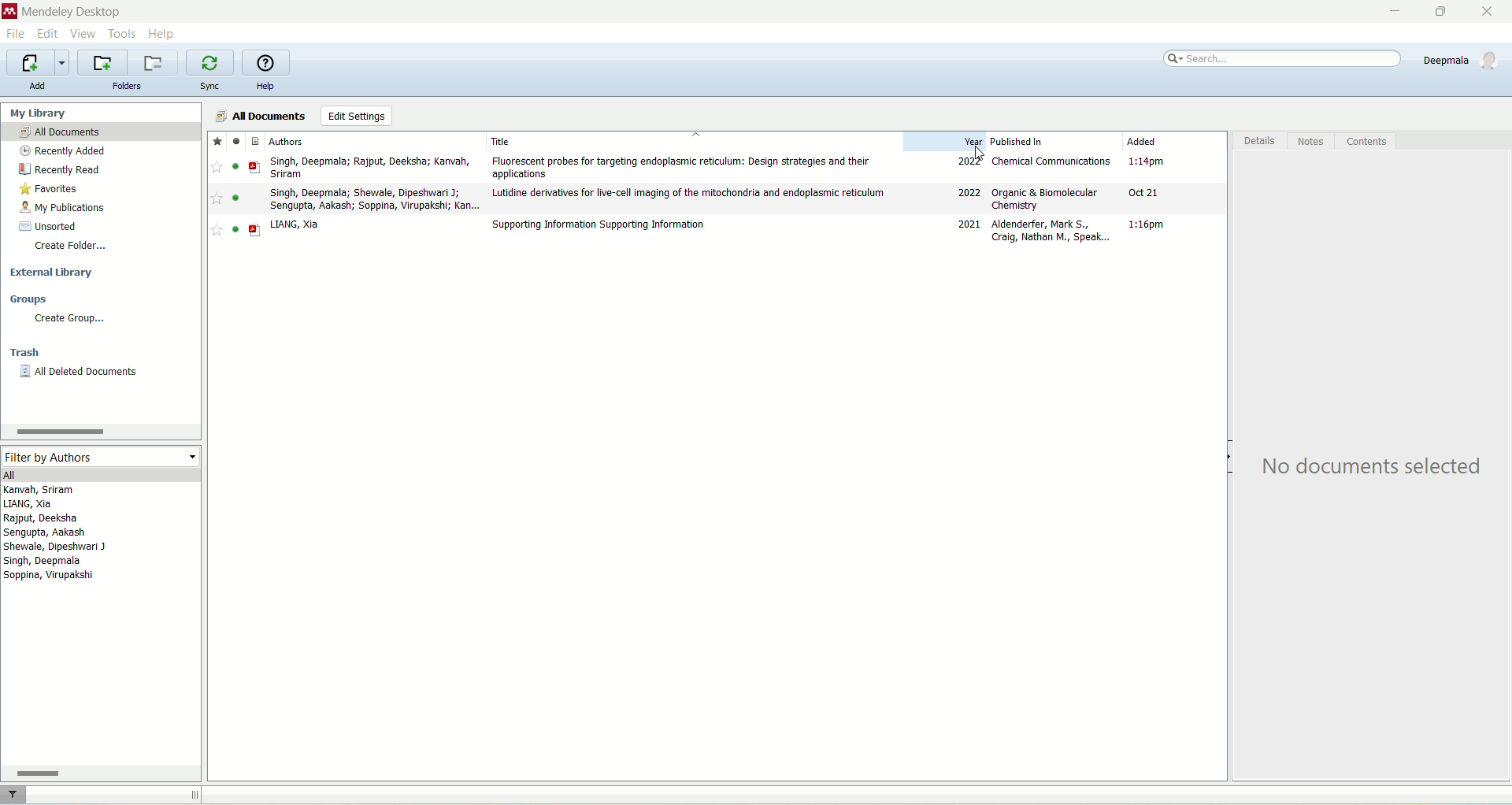 This screenshot has width=1512, height=805. I want to click on folders, so click(130, 87).